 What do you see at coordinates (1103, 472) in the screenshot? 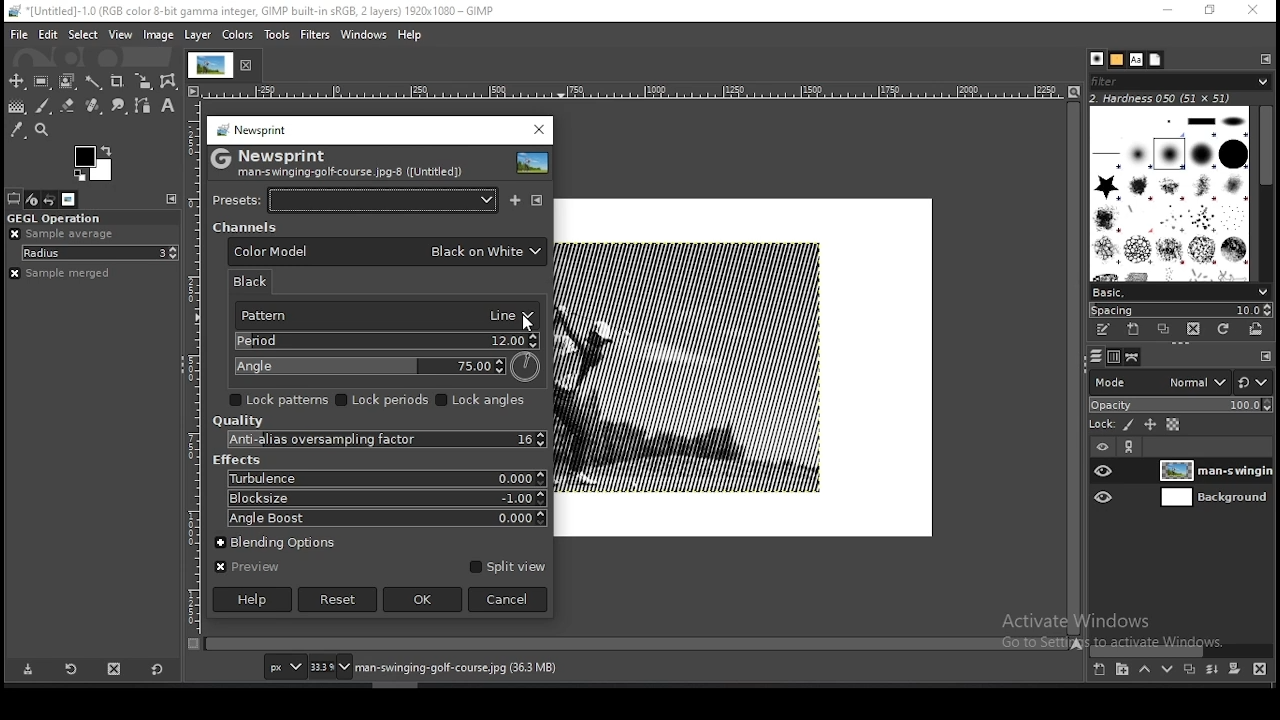
I see `layer visibility on/off` at bounding box center [1103, 472].